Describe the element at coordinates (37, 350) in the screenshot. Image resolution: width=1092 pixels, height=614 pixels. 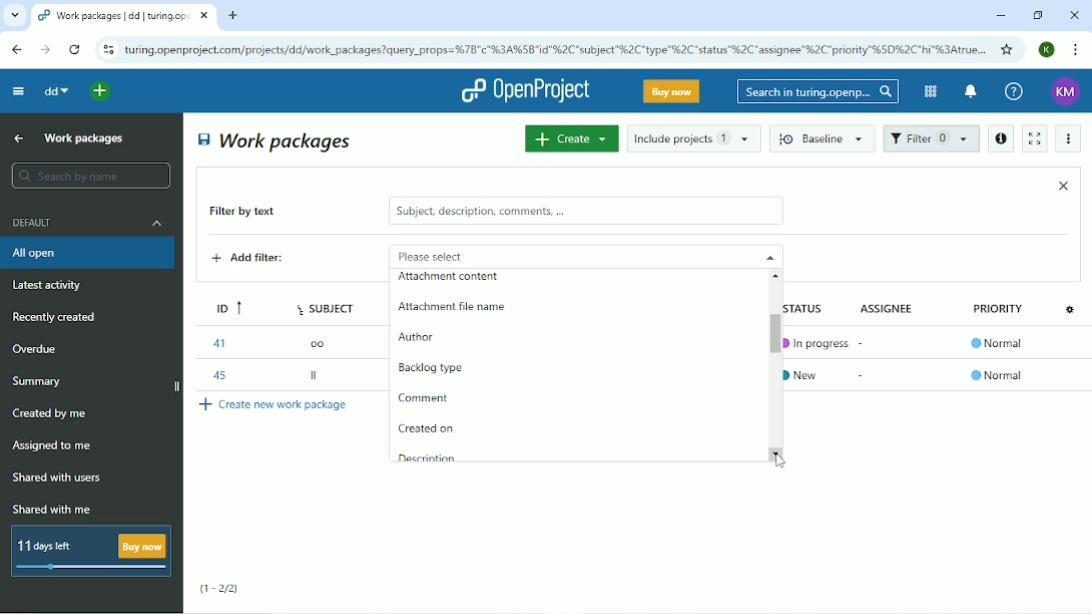
I see `Overdue` at that location.